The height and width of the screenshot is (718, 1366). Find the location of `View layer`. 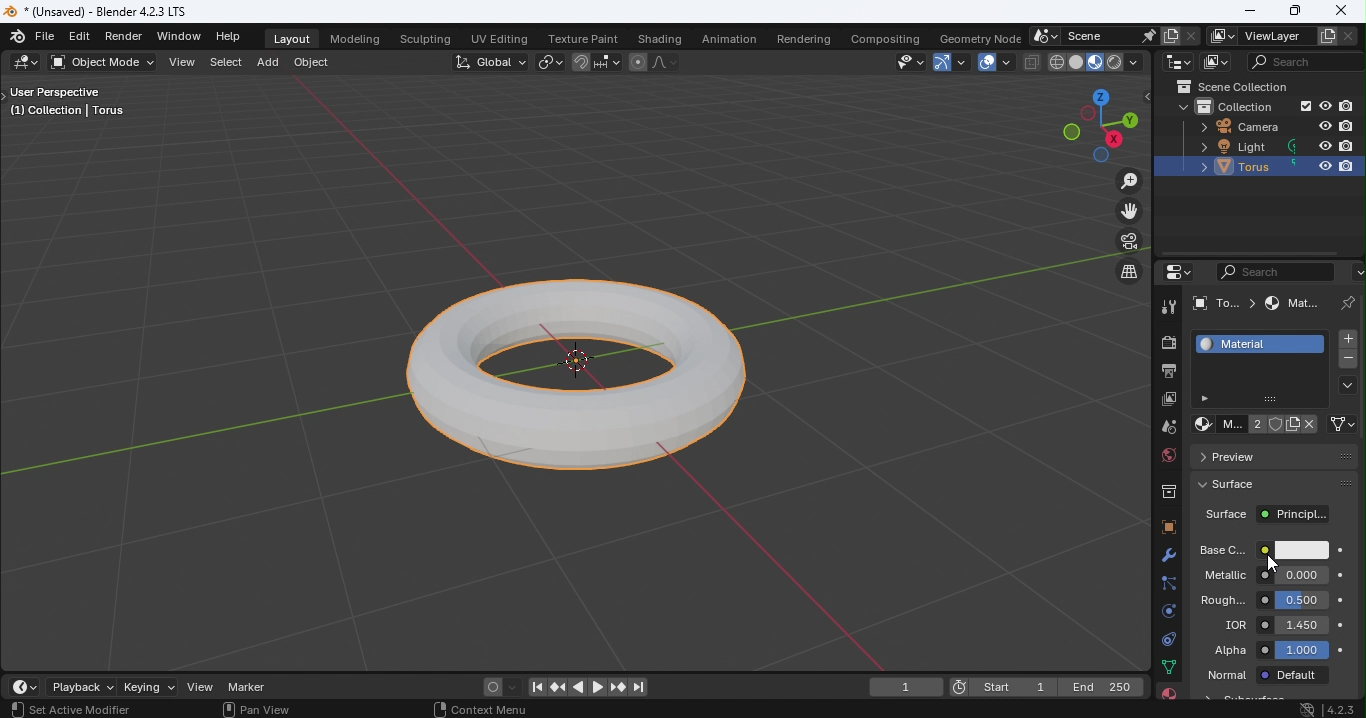

View layer is located at coordinates (1271, 35).